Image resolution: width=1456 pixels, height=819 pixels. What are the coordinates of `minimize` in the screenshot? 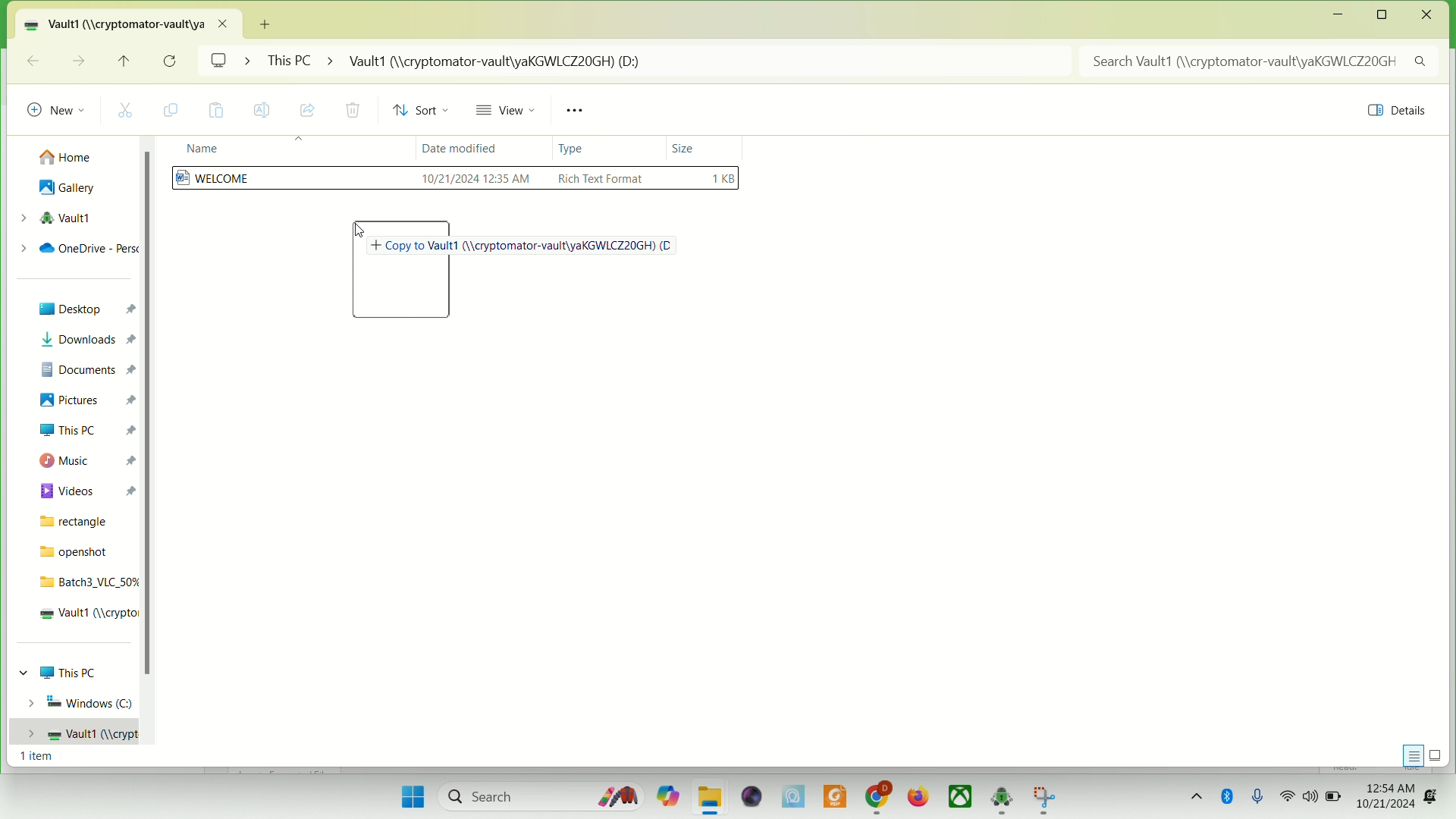 It's located at (1338, 16).